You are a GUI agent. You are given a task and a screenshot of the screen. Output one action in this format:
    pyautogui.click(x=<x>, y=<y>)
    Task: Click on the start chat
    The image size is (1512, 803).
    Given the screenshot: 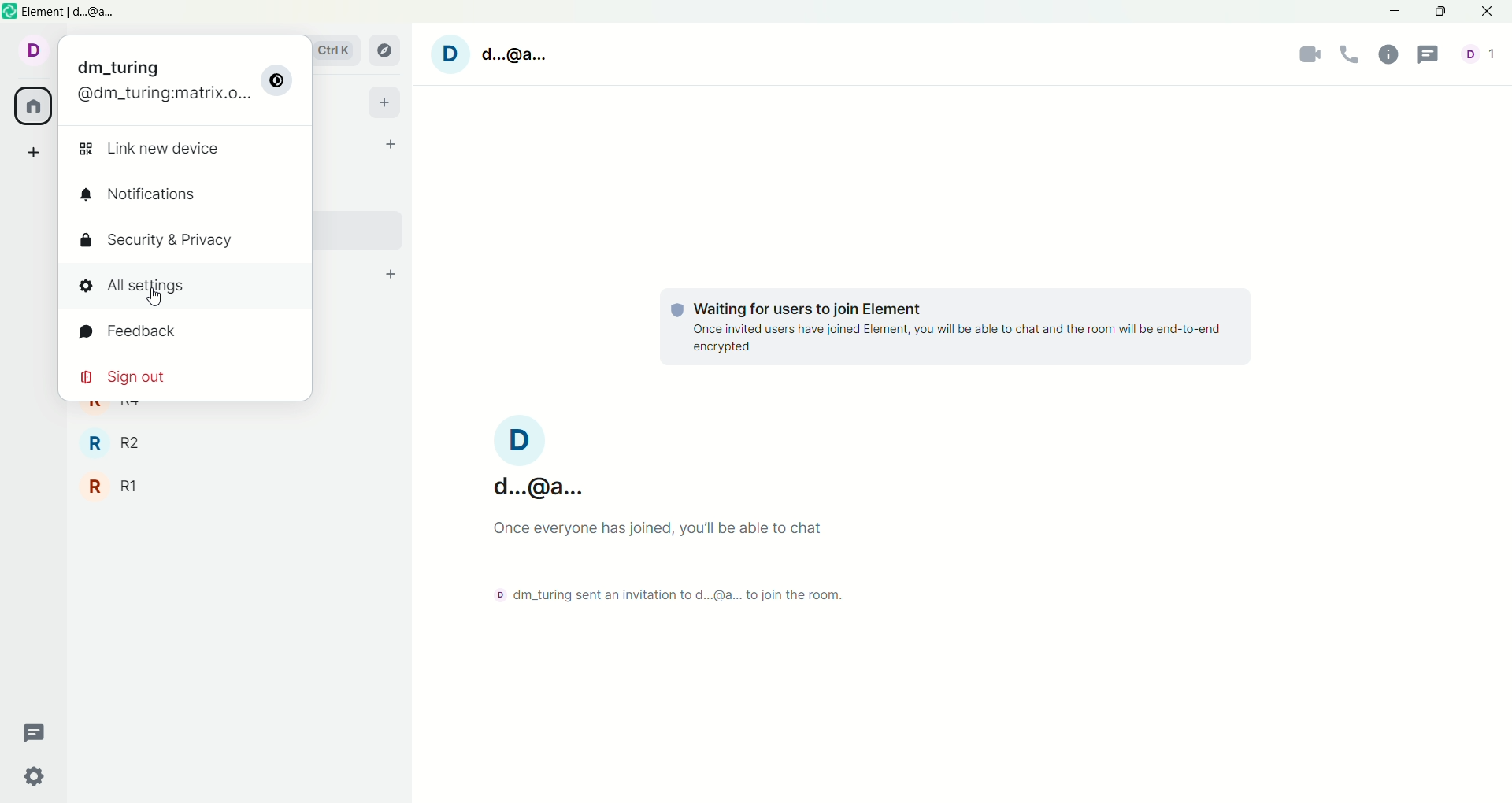 What is the action you would take?
    pyautogui.click(x=394, y=145)
    